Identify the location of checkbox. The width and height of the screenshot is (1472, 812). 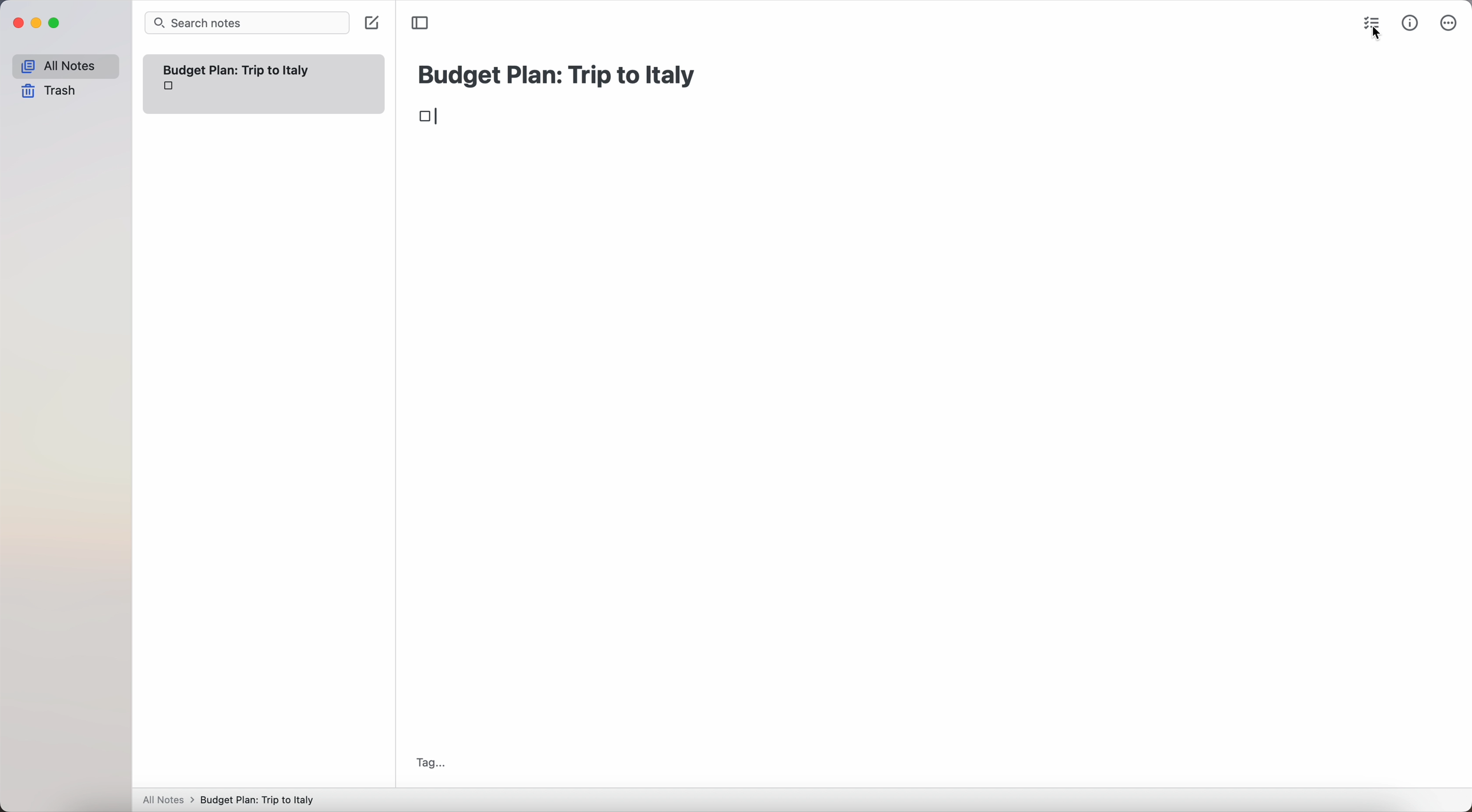
(170, 87).